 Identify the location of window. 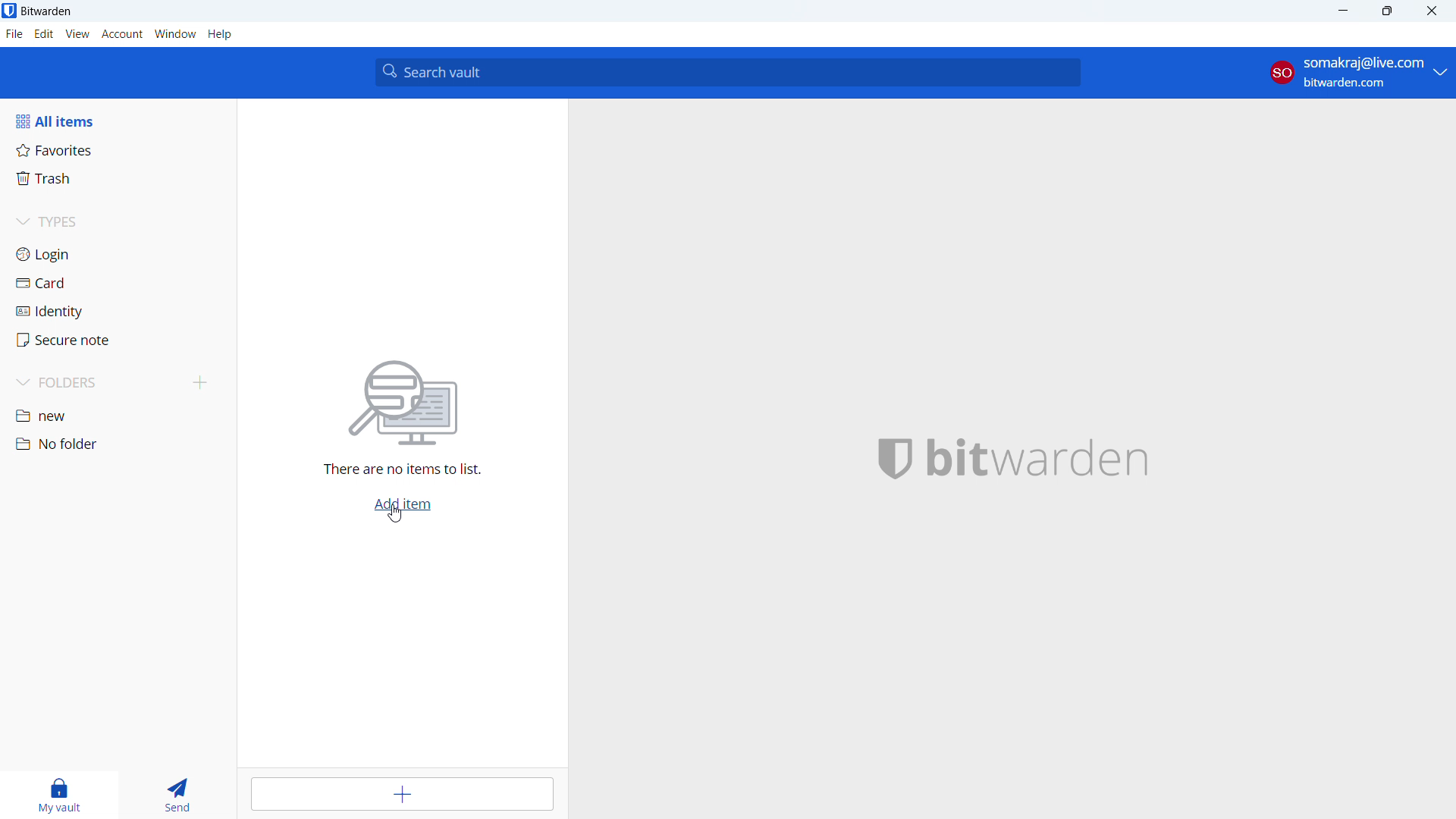
(175, 34).